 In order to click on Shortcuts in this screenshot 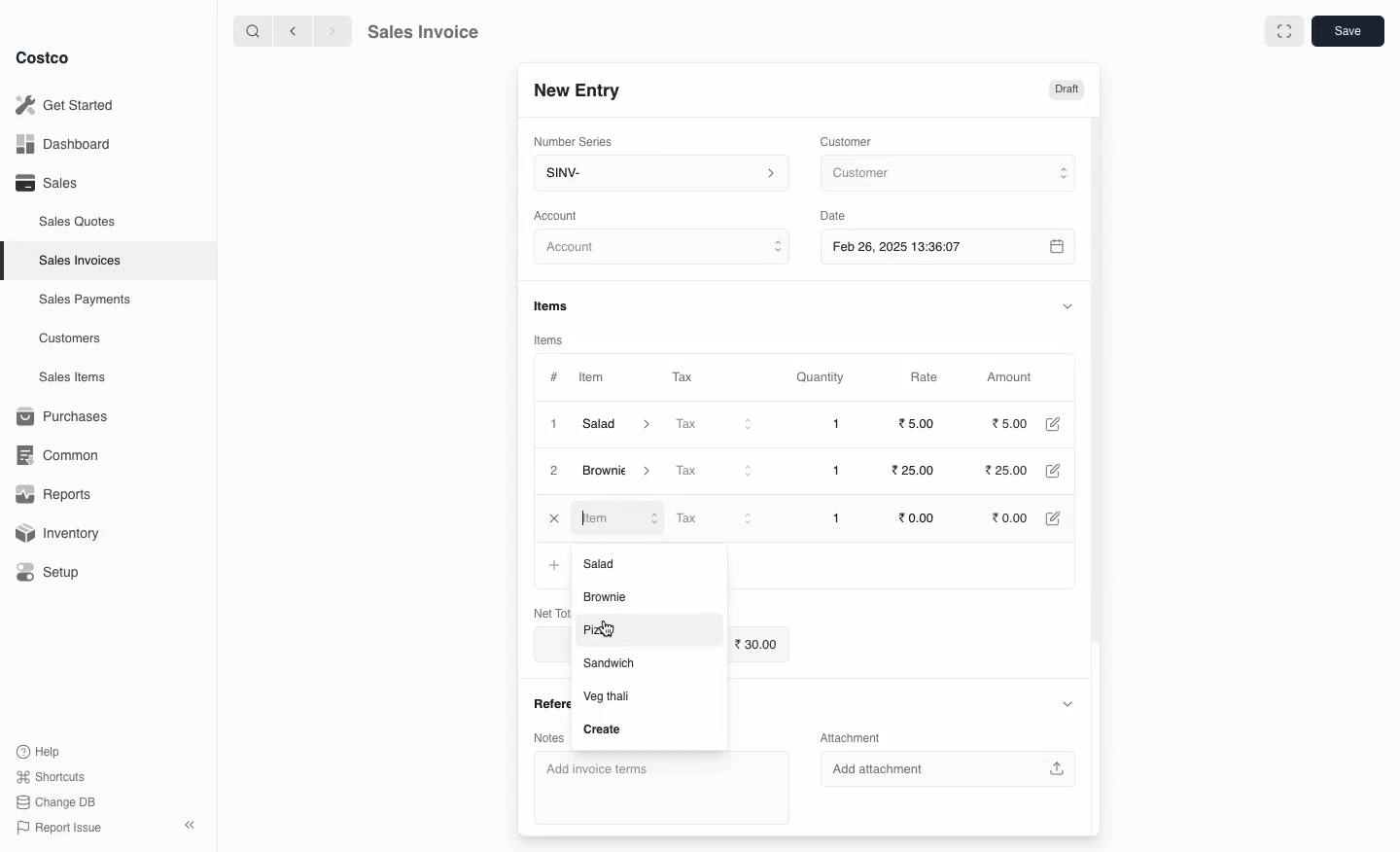, I will do `click(50, 777)`.